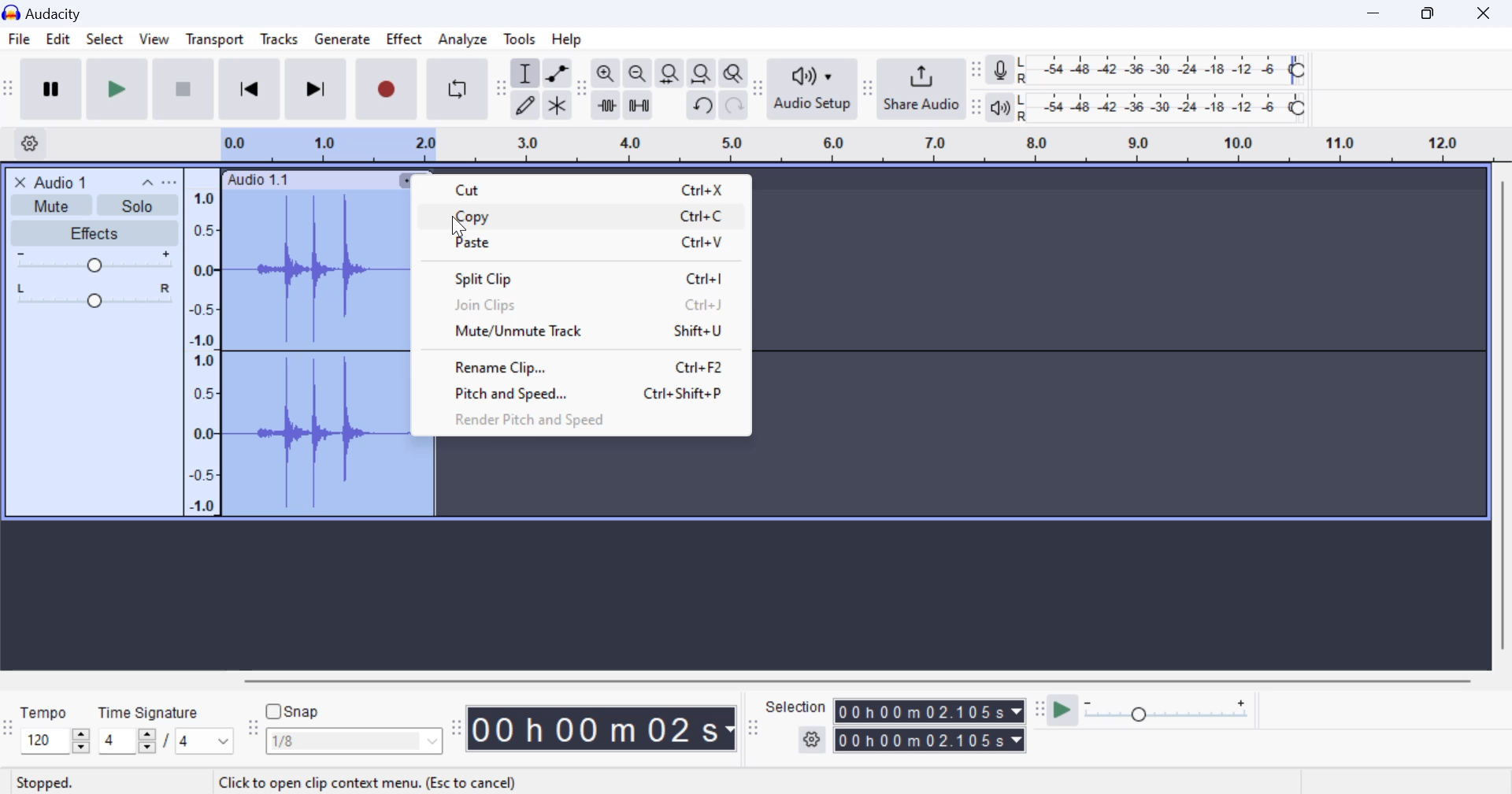  Describe the element at coordinates (1162, 108) in the screenshot. I see `Playback Level` at that location.